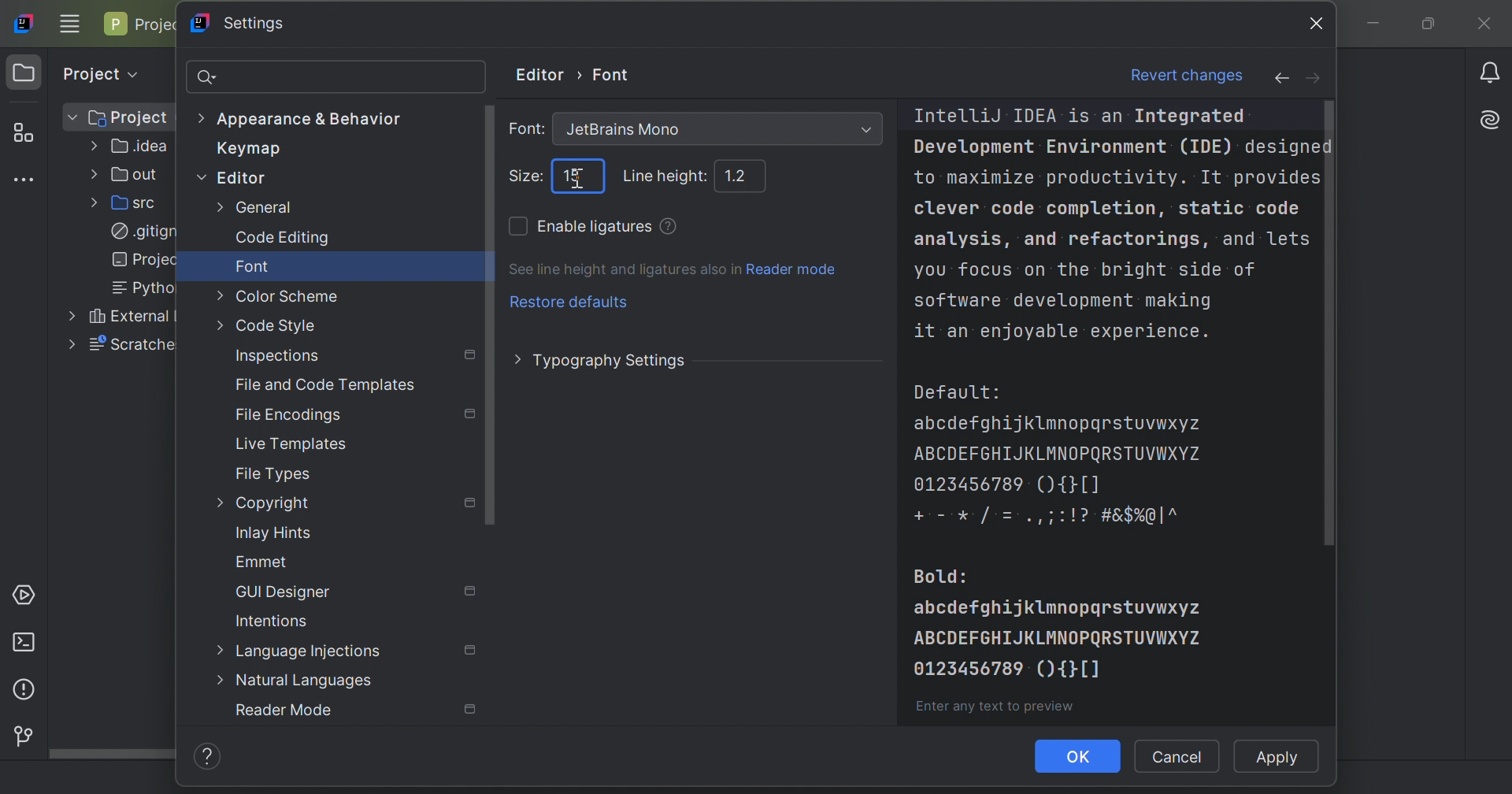  What do you see at coordinates (98, 71) in the screenshot?
I see `Project` at bounding box center [98, 71].